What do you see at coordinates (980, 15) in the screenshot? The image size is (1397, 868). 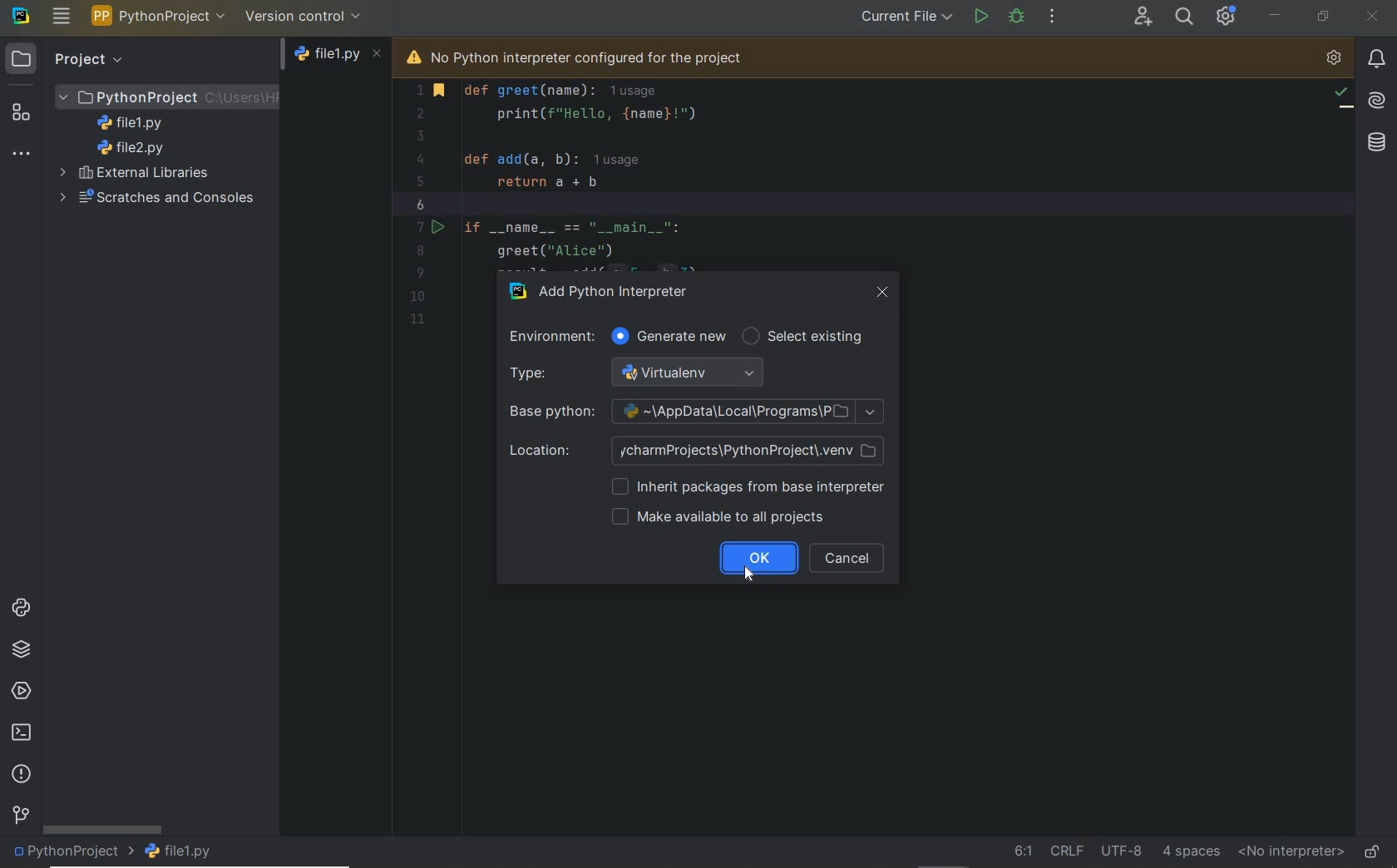 I see `run` at bounding box center [980, 15].